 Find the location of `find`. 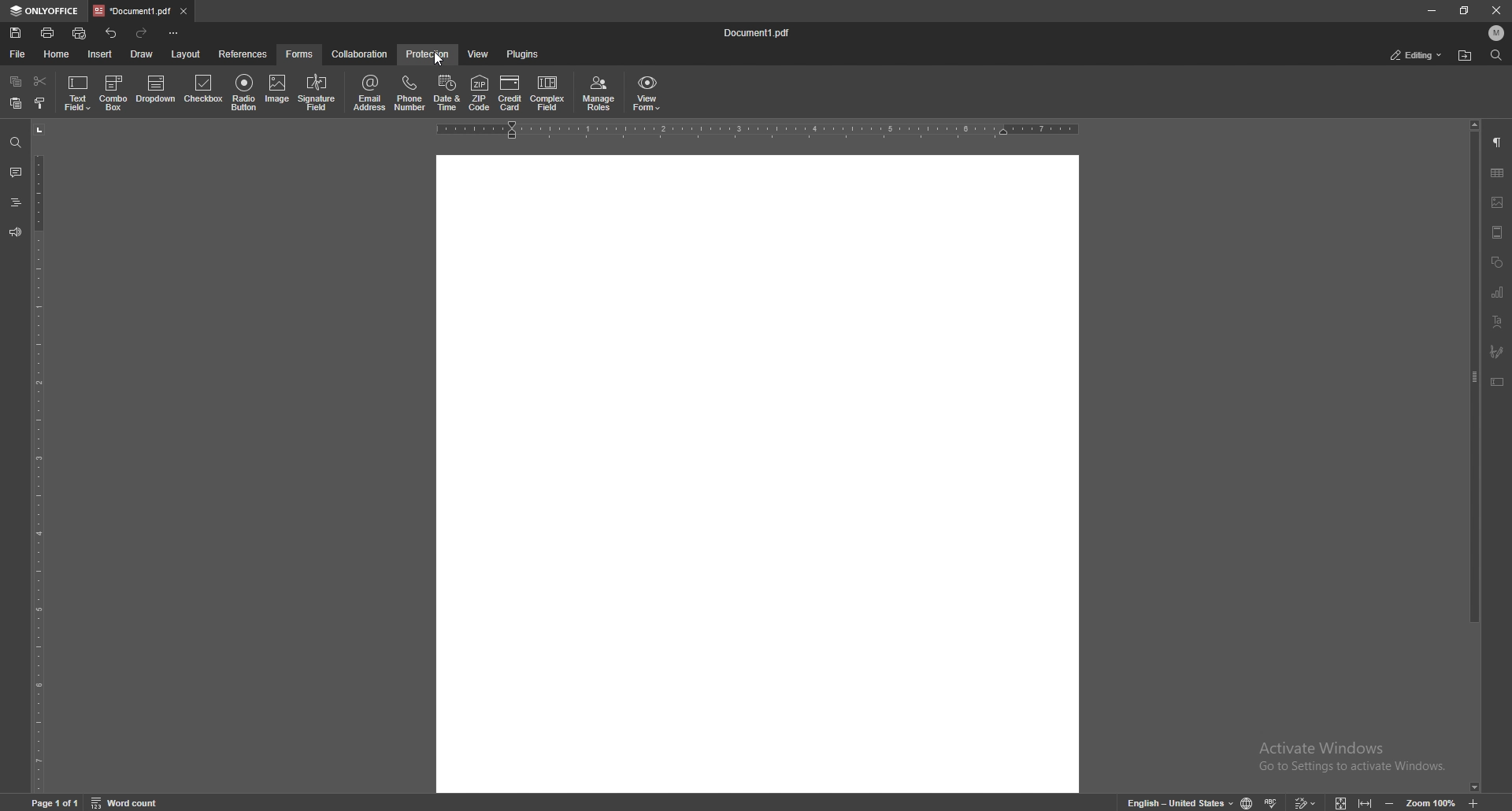

find is located at coordinates (1496, 56).